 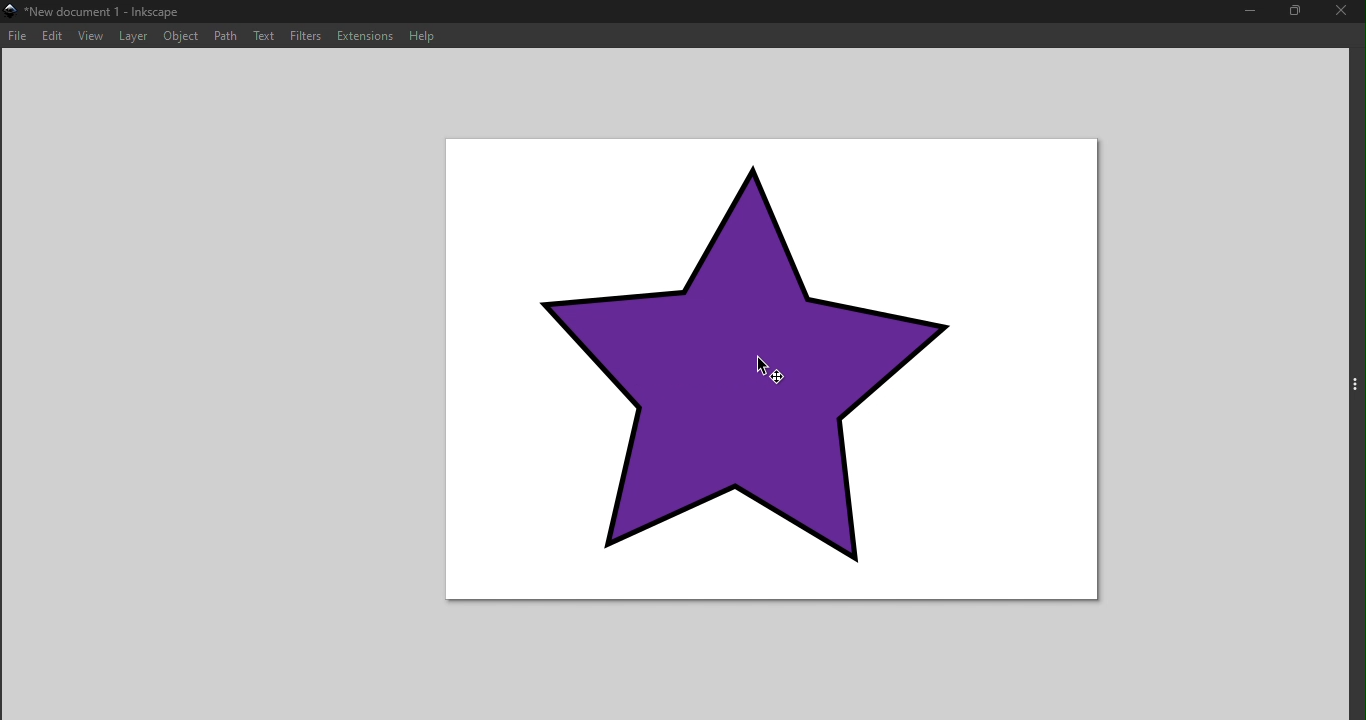 I want to click on Filters, so click(x=308, y=36).